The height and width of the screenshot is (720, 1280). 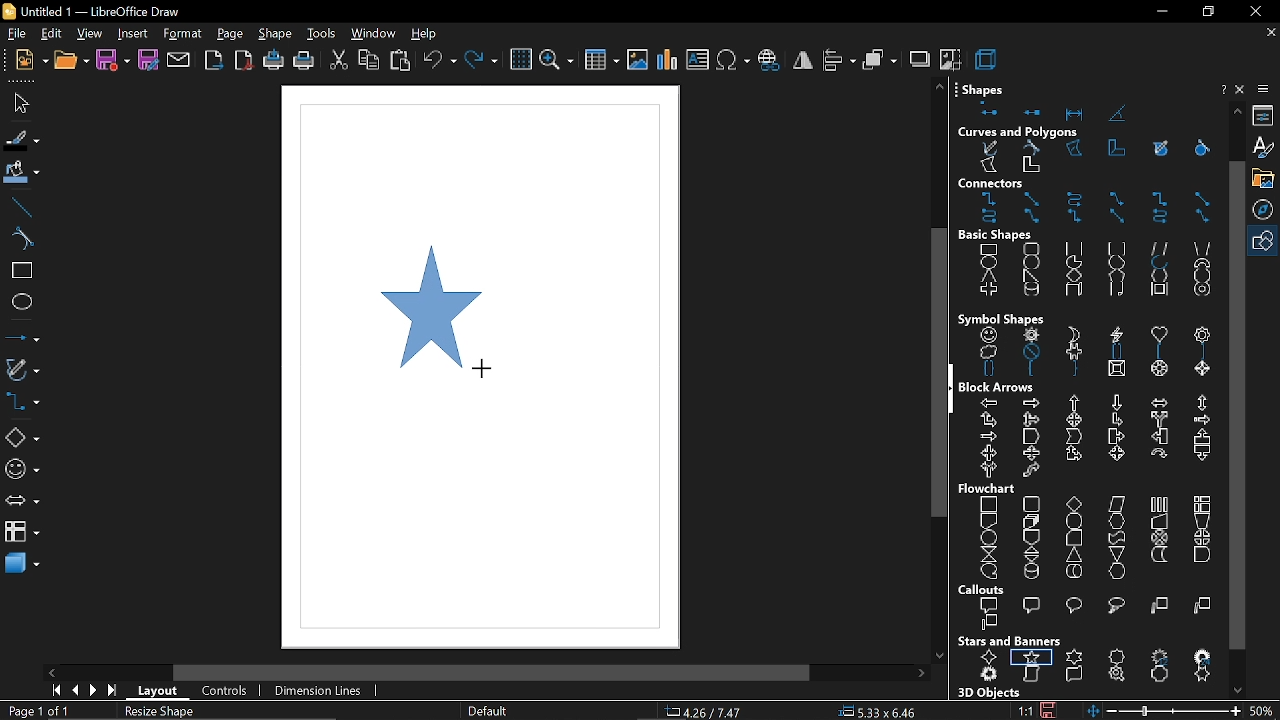 What do you see at coordinates (992, 184) in the screenshot?
I see `connectors` at bounding box center [992, 184].